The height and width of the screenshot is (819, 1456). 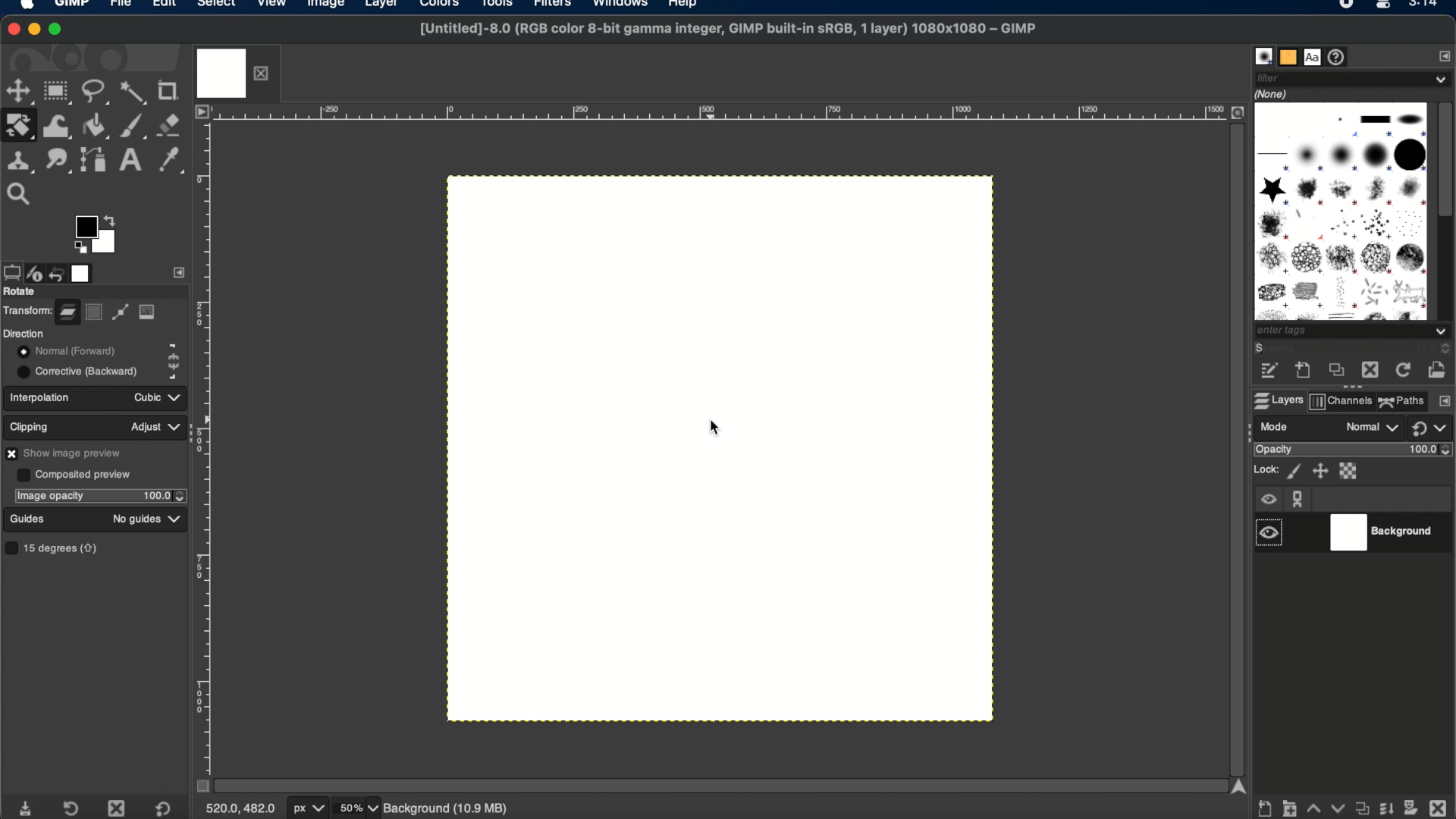 What do you see at coordinates (1270, 532) in the screenshot?
I see `visibility toggle` at bounding box center [1270, 532].